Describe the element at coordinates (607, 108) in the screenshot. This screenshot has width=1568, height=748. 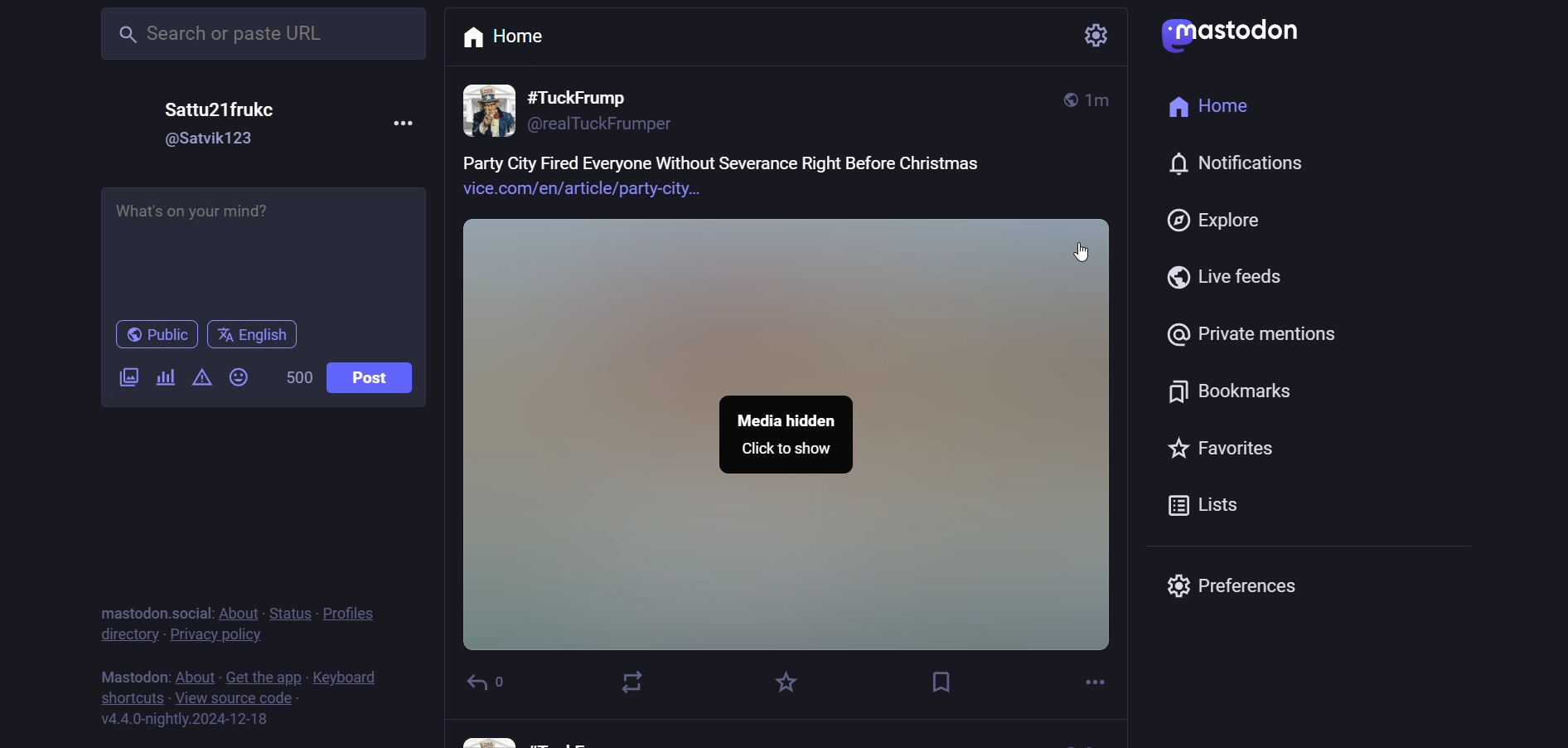
I see `User information` at that location.